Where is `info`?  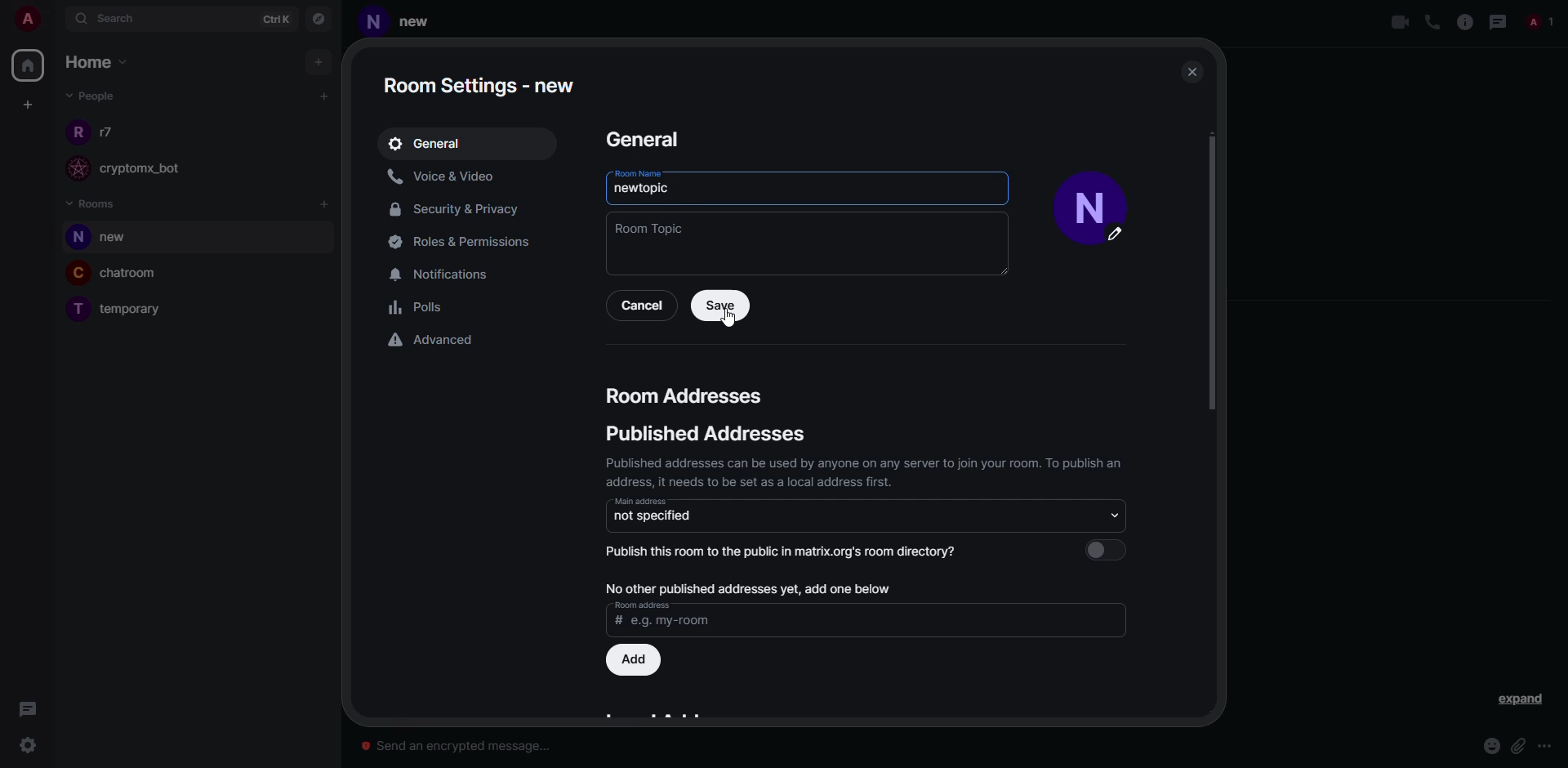
info is located at coordinates (1463, 21).